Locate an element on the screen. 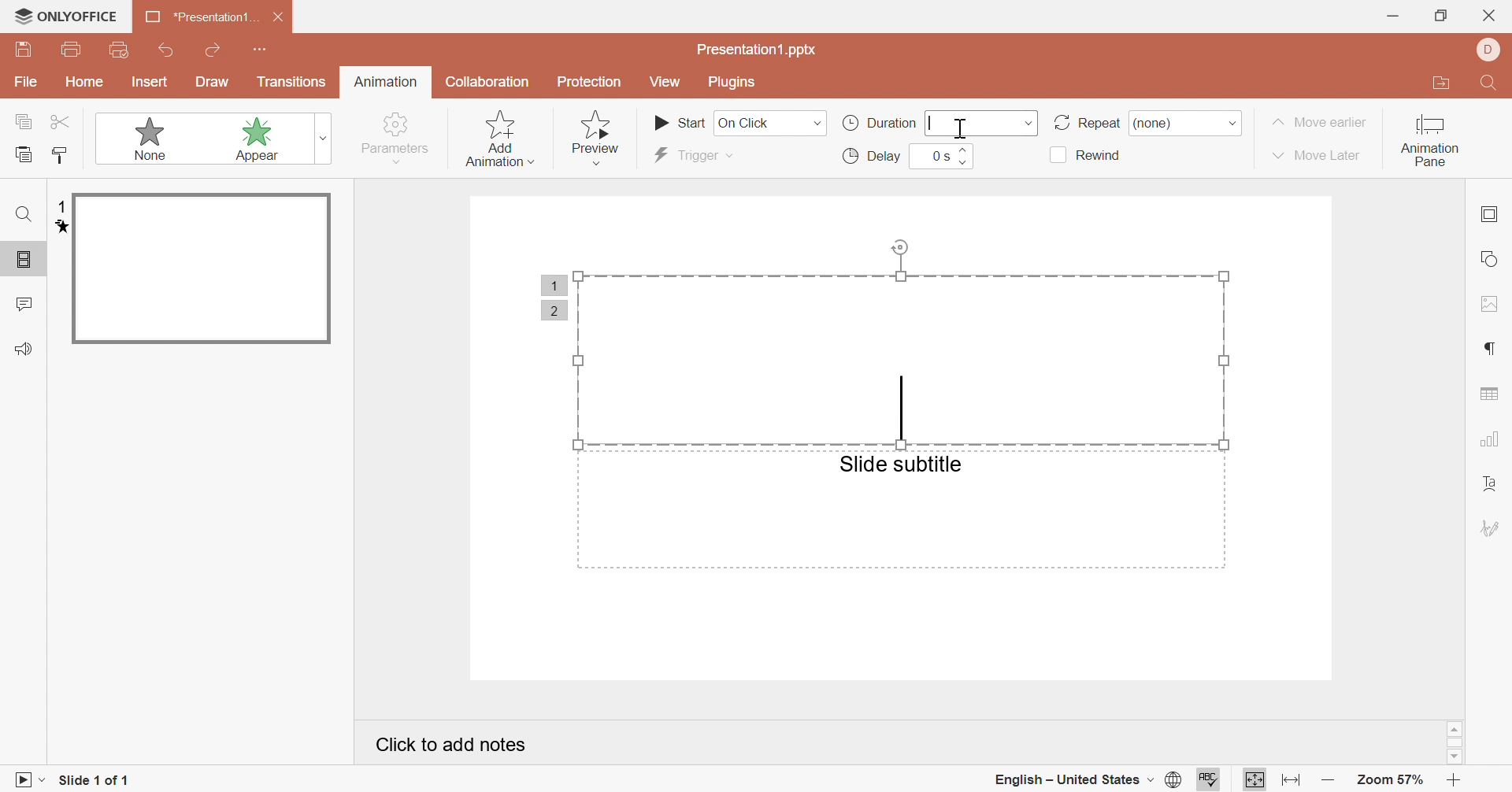 The image size is (1512, 792). save is located at coordinates (24, 49).